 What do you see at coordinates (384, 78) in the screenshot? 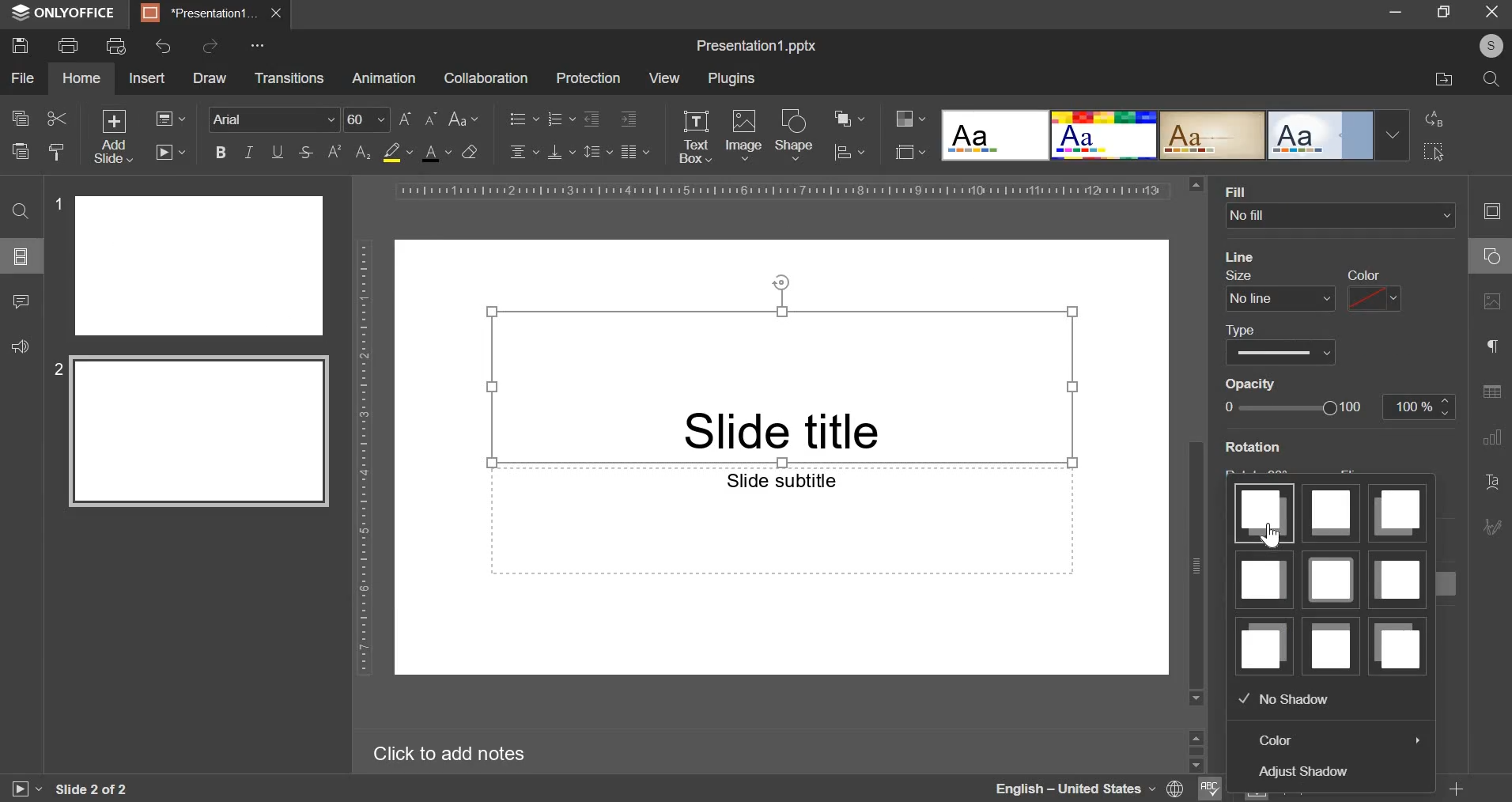
I see `animation` at bounding box center [384, 78].